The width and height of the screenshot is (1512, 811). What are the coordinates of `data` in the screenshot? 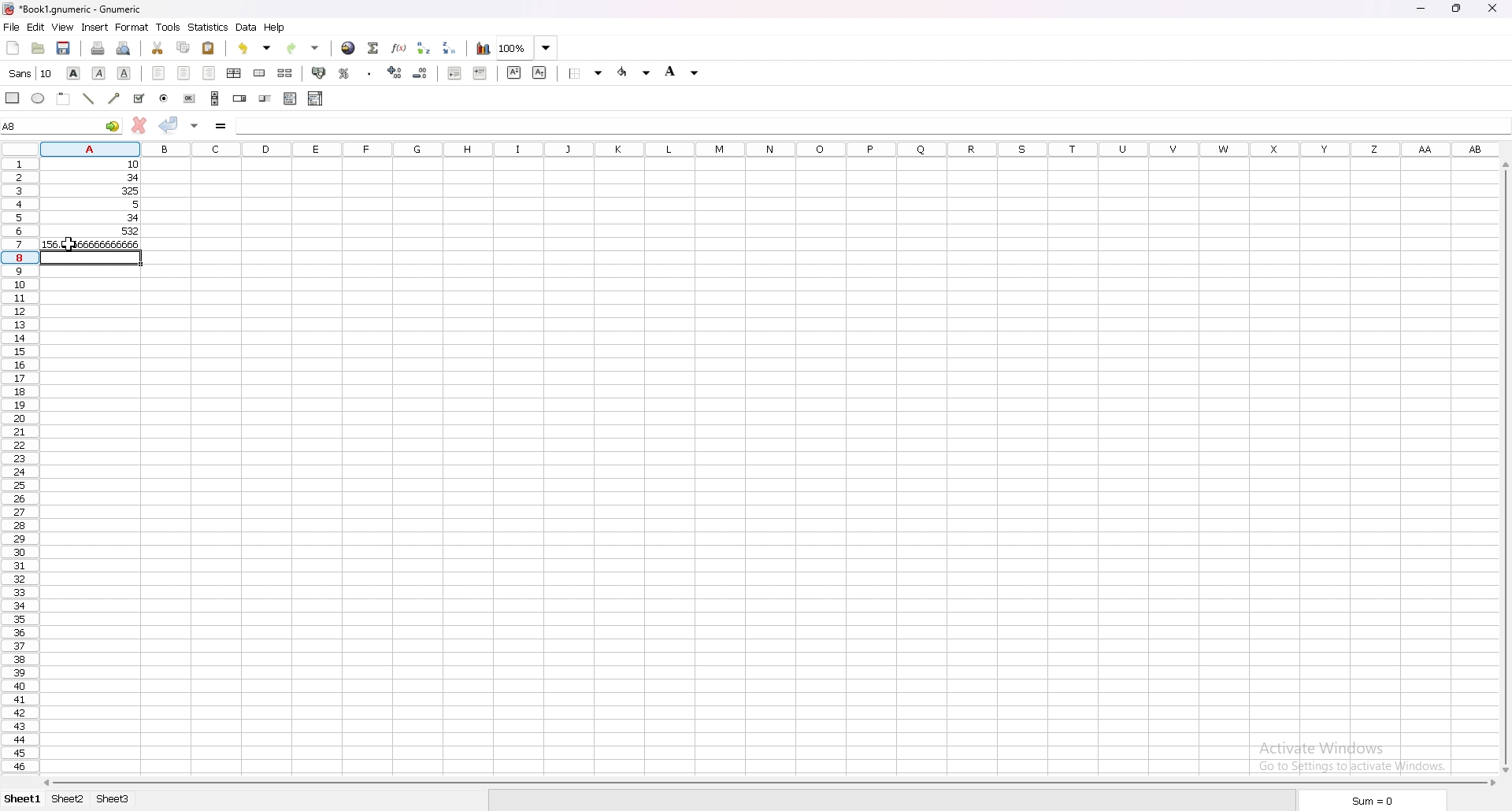 It's located at (248, 27).